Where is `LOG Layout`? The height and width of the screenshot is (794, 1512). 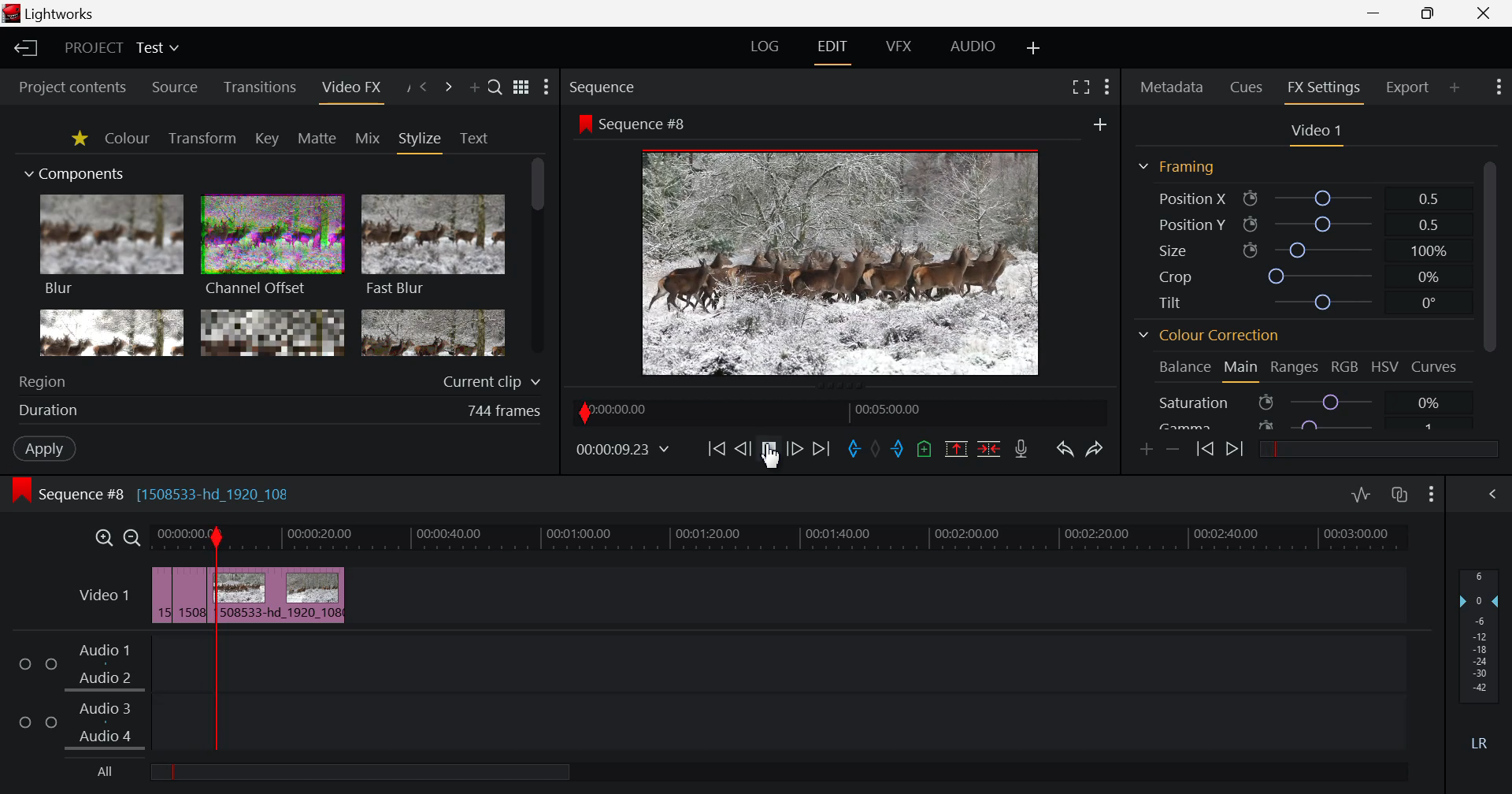
LOG Layout is located at coordinates (765, 47).